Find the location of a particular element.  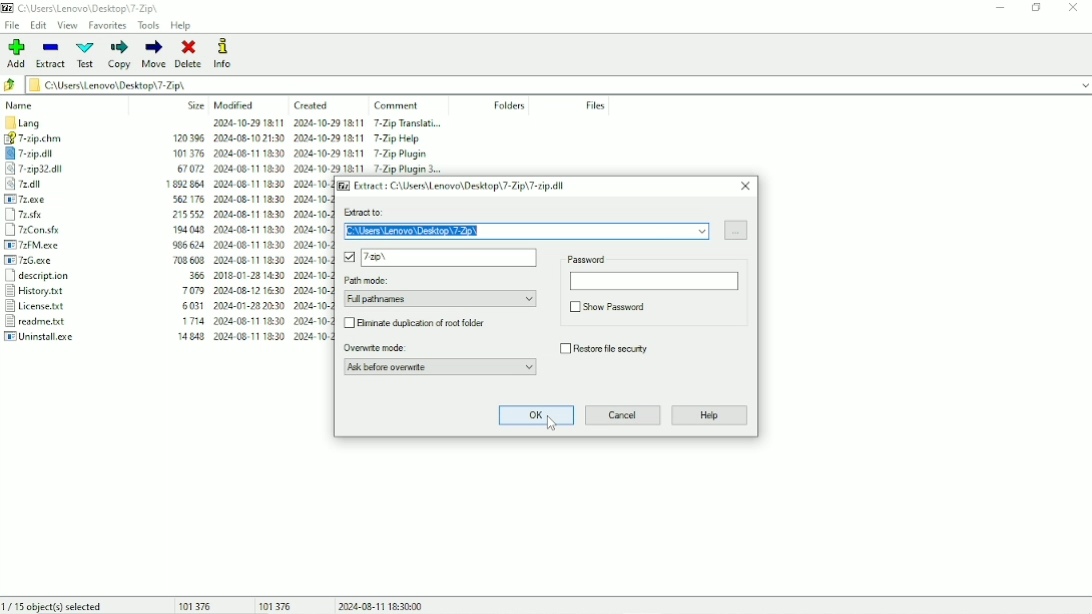

Name is located at coordinates (21, 105).